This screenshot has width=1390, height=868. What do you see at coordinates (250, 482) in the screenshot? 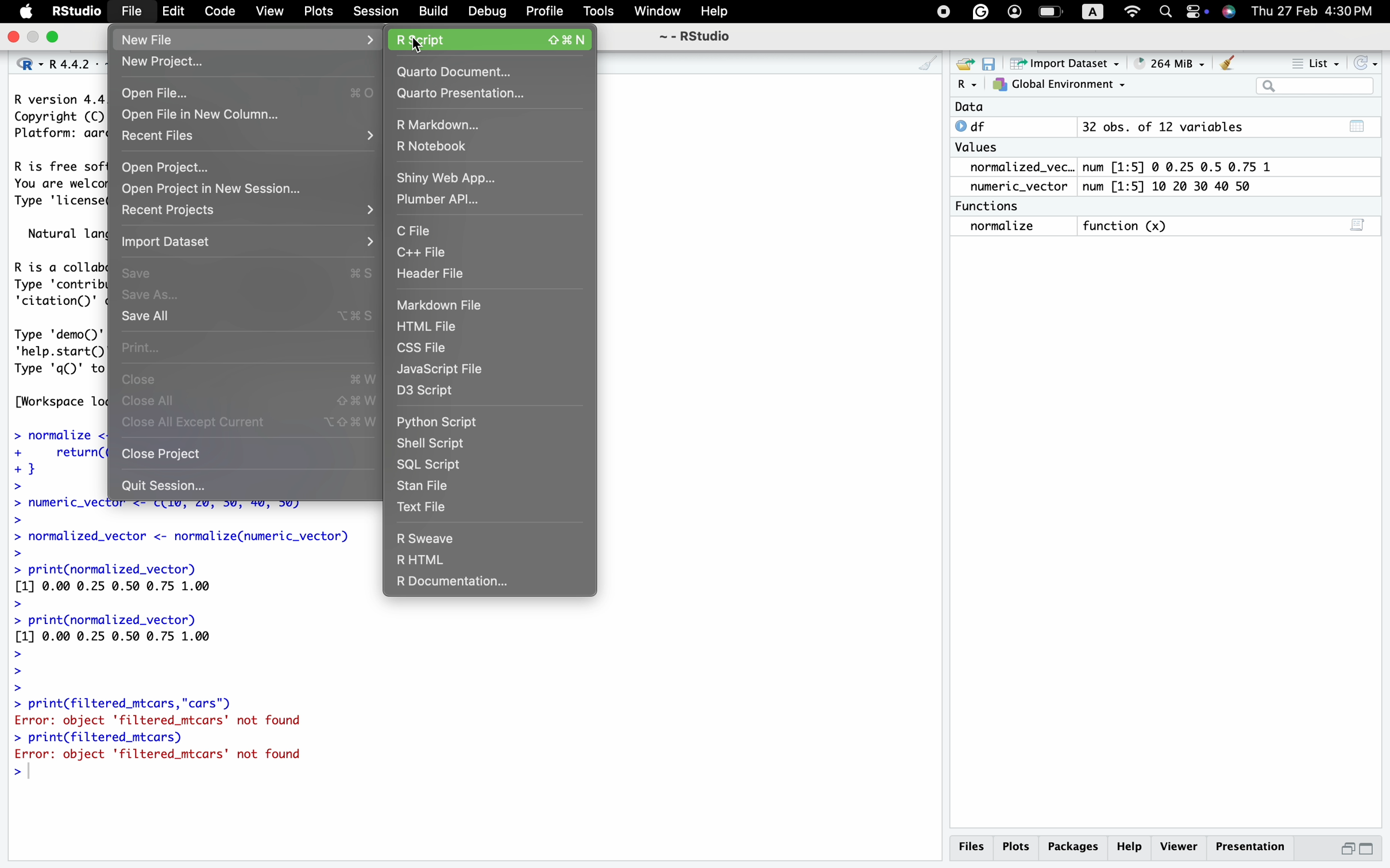
I see `quit session` at bounding box center [250, 482].